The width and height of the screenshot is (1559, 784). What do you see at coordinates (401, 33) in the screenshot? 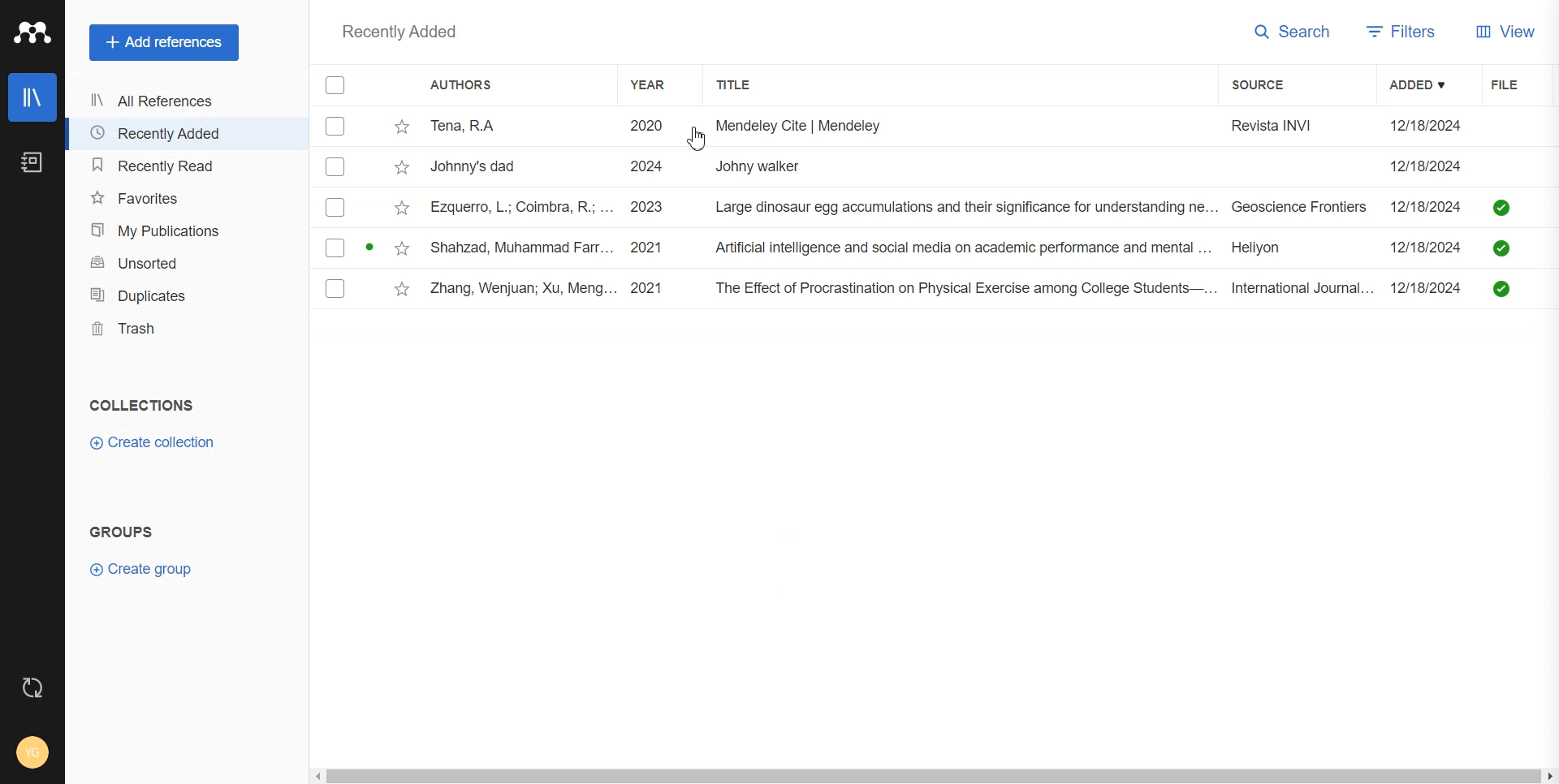
I see `Recently added ` at bounding box center [401, 33].